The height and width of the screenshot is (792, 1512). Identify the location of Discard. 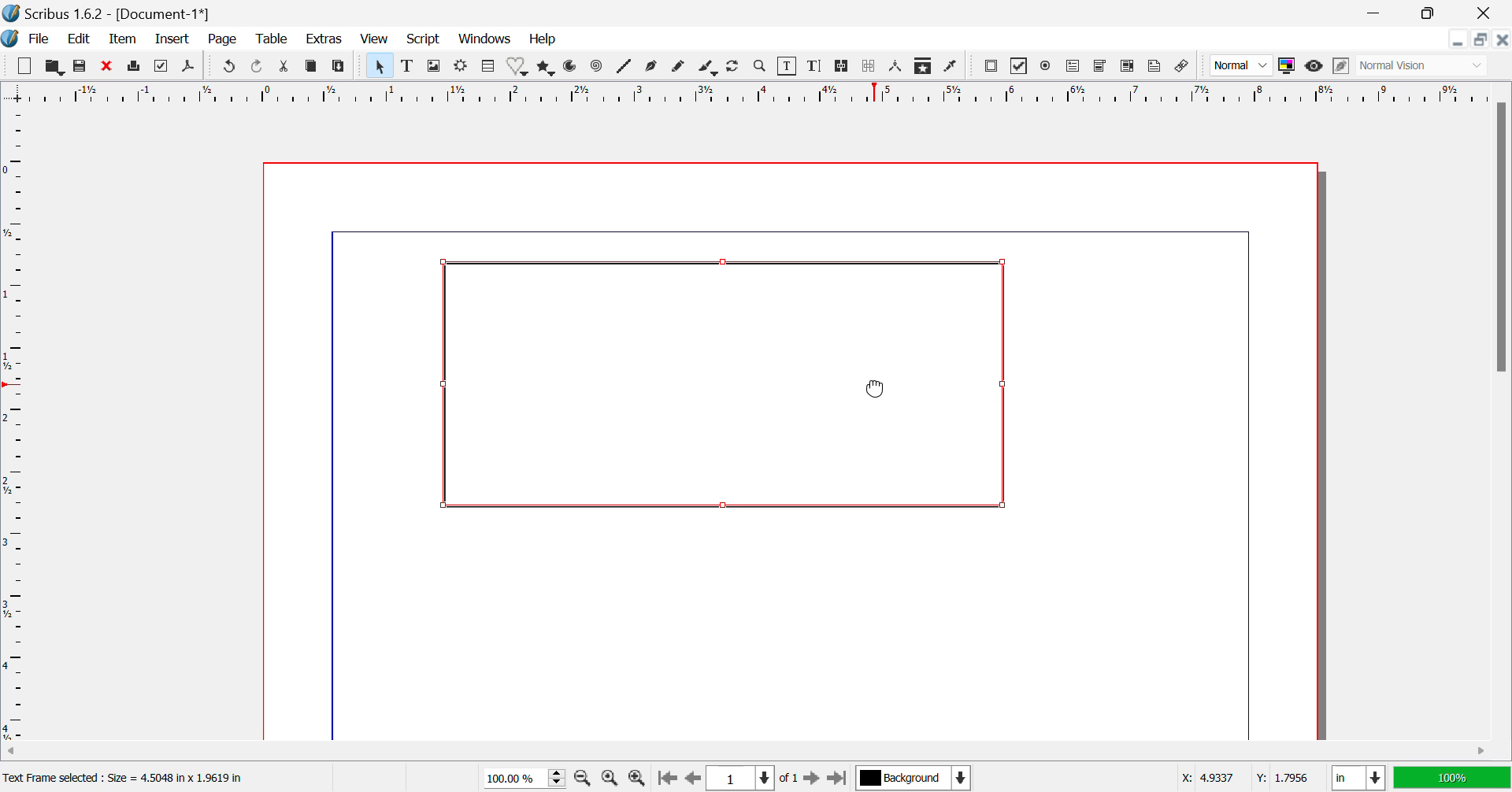
(107, 66).